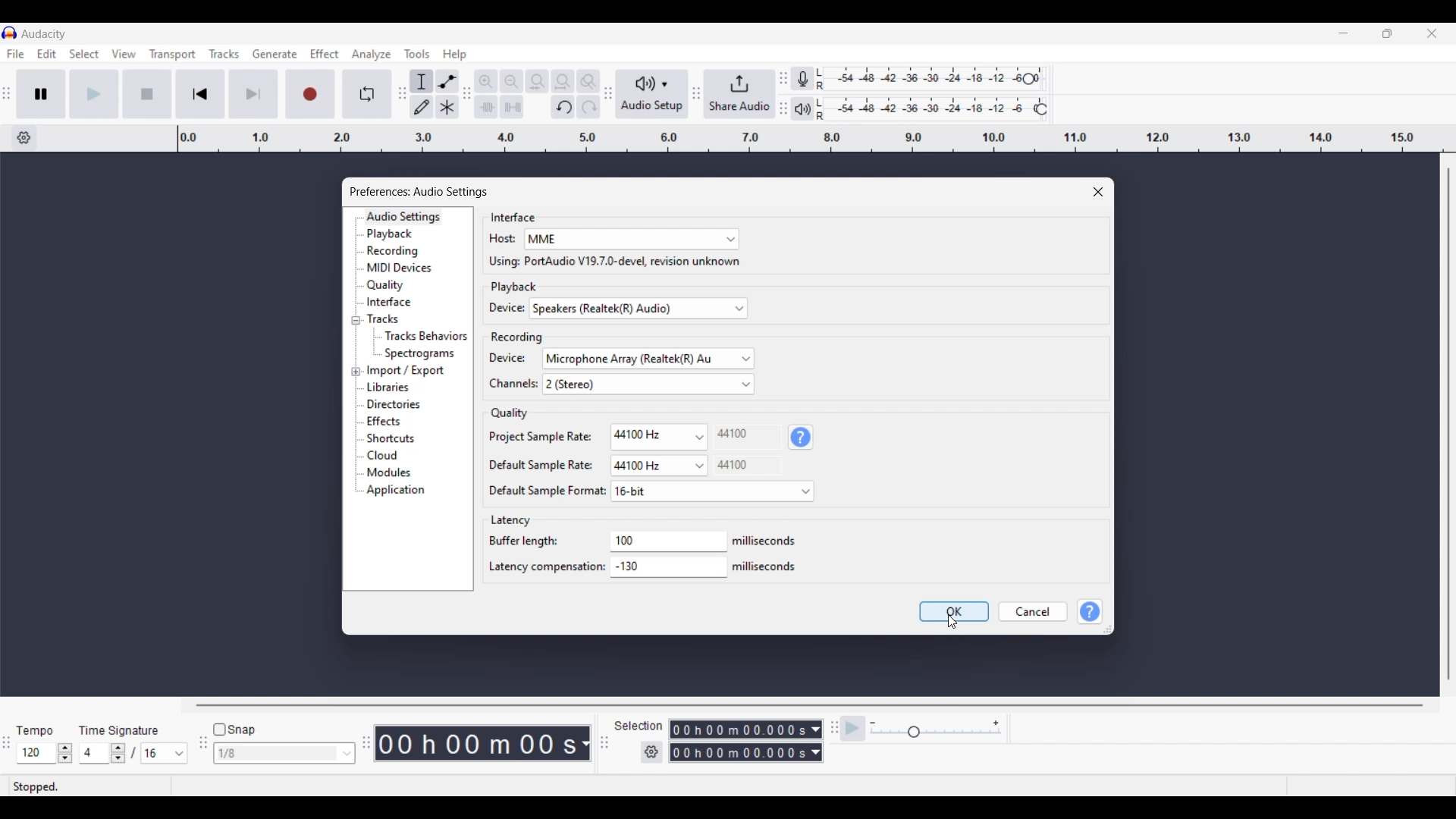 This screenshot has width=1456, height=819. Describe the element at coordinates (563, 81) in the screenshot. I see `Fit project to width` at that location.